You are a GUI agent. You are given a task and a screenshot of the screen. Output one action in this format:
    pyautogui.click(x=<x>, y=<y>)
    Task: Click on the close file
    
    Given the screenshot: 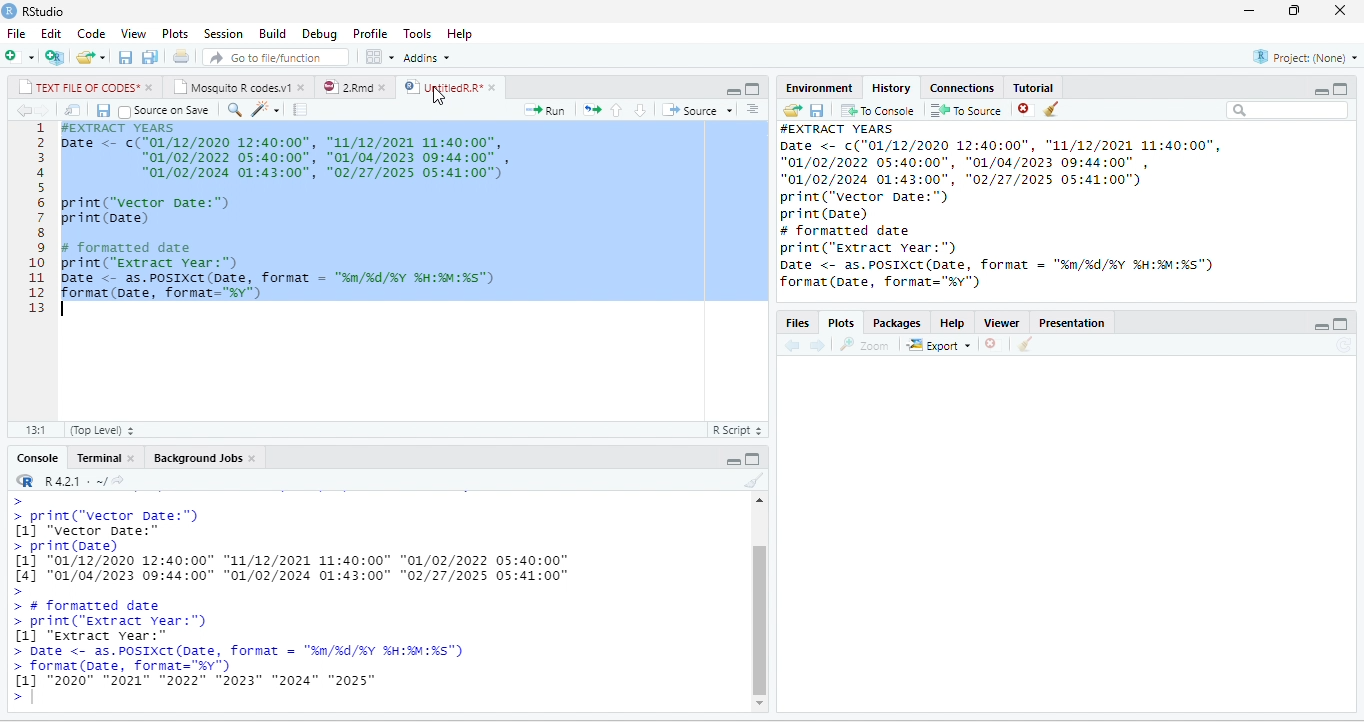 What is the action you would take?
    pyautogui.click(x=996, y=344)
    